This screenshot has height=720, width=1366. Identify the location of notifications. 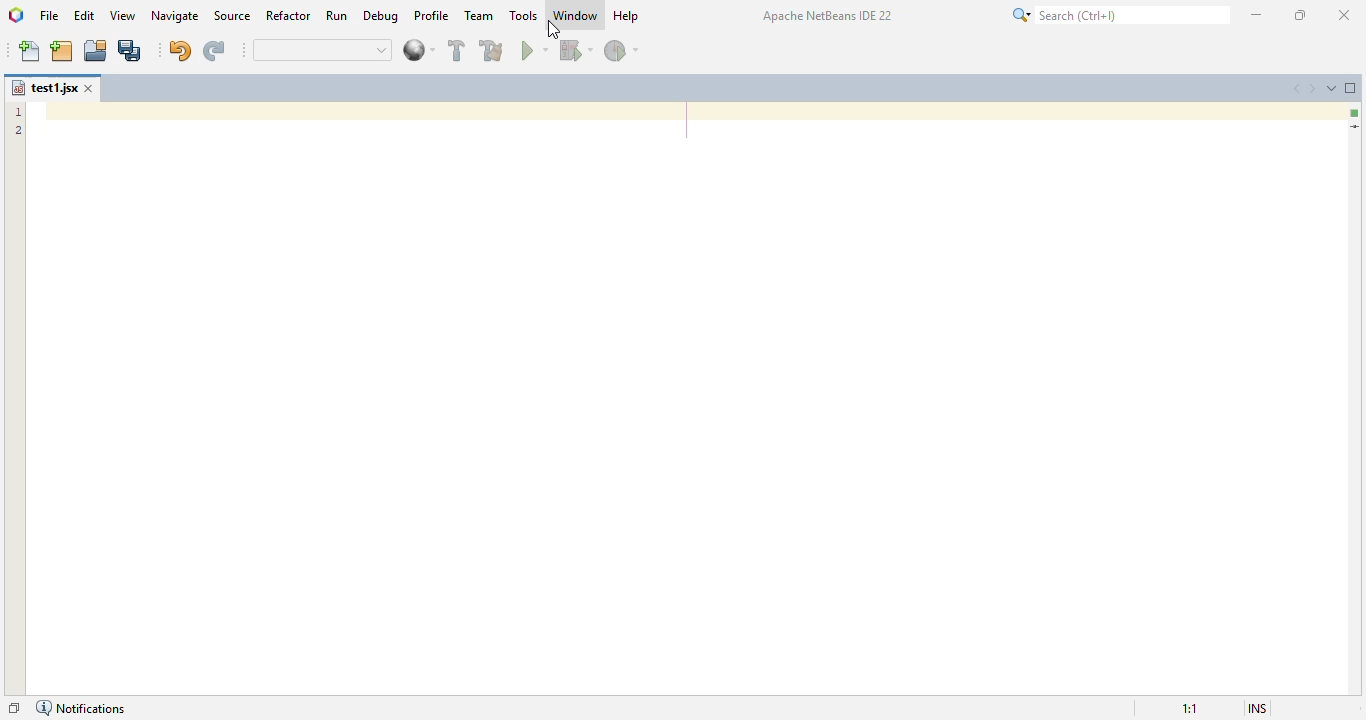
(85, 706).